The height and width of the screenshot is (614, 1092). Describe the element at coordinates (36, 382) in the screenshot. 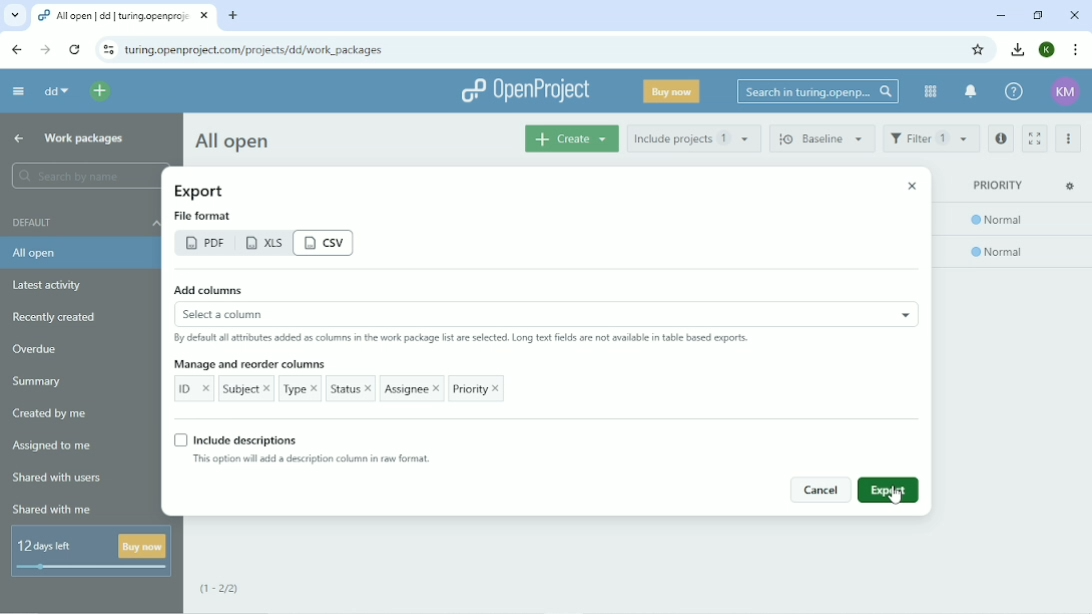

I see `Summary` at that location.